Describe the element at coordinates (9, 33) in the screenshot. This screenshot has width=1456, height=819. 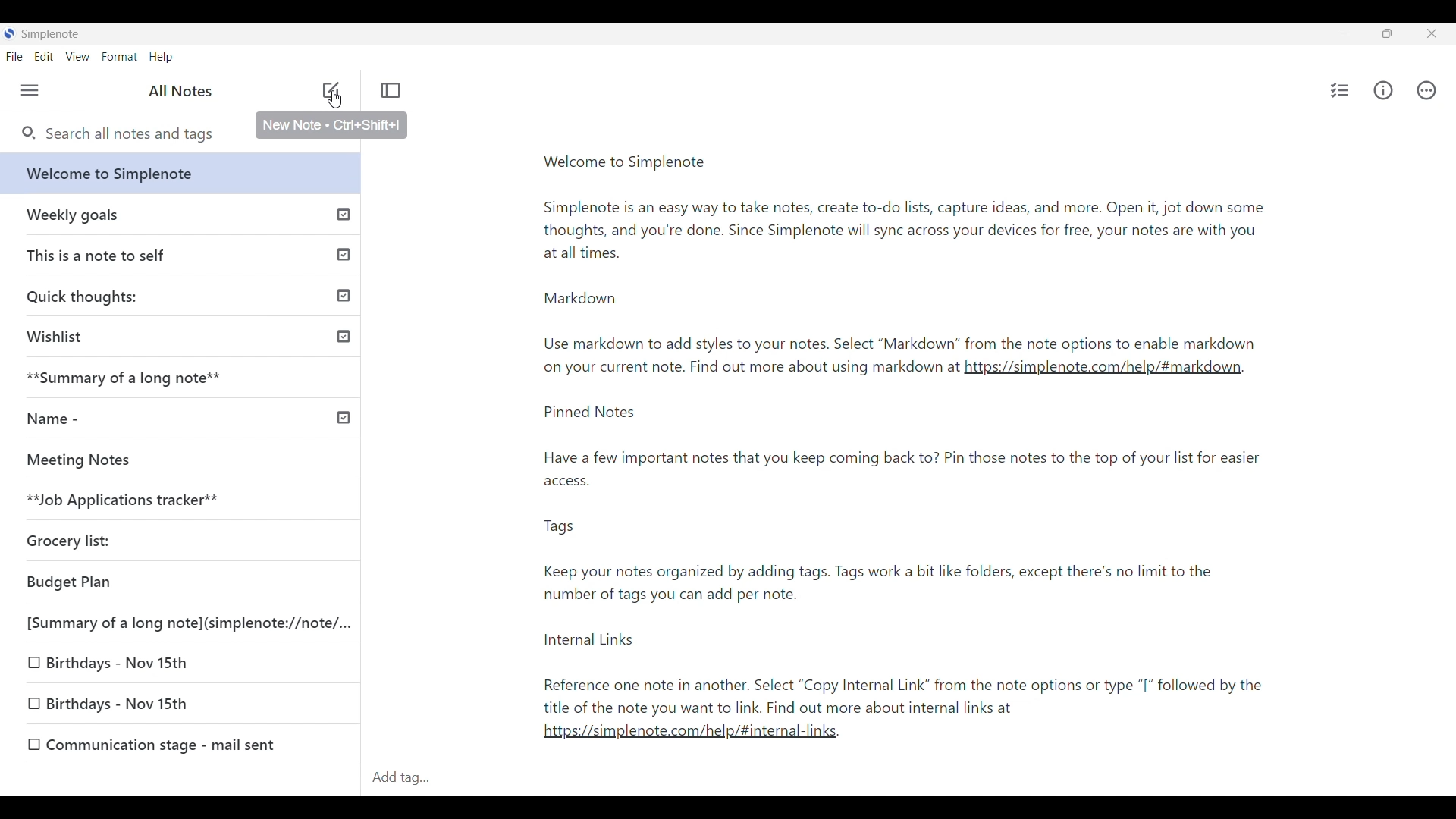
I see `Software logo` at that location.